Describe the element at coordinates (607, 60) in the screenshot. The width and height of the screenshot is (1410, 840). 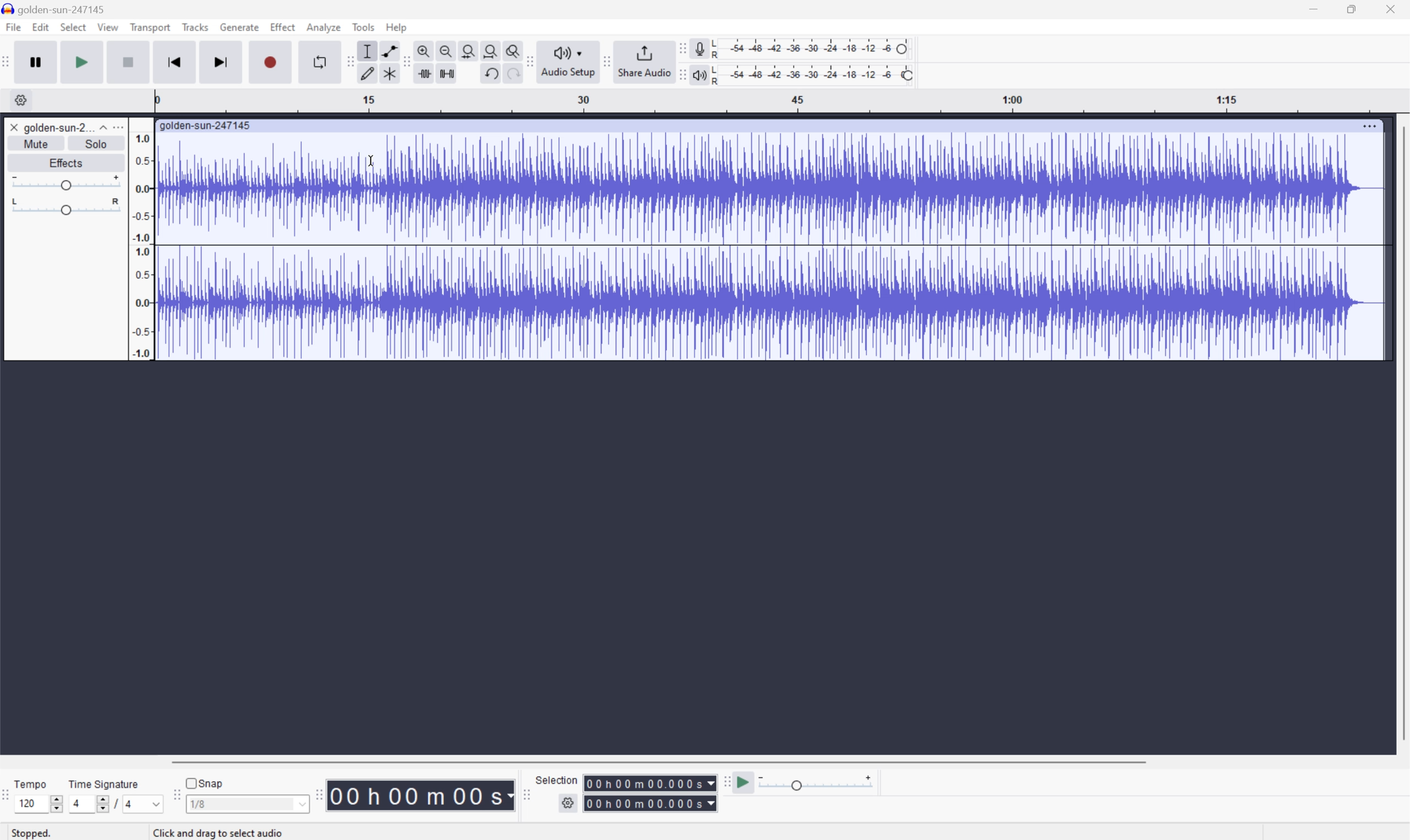
I see `Audacity Share audio toolbar` at that location.